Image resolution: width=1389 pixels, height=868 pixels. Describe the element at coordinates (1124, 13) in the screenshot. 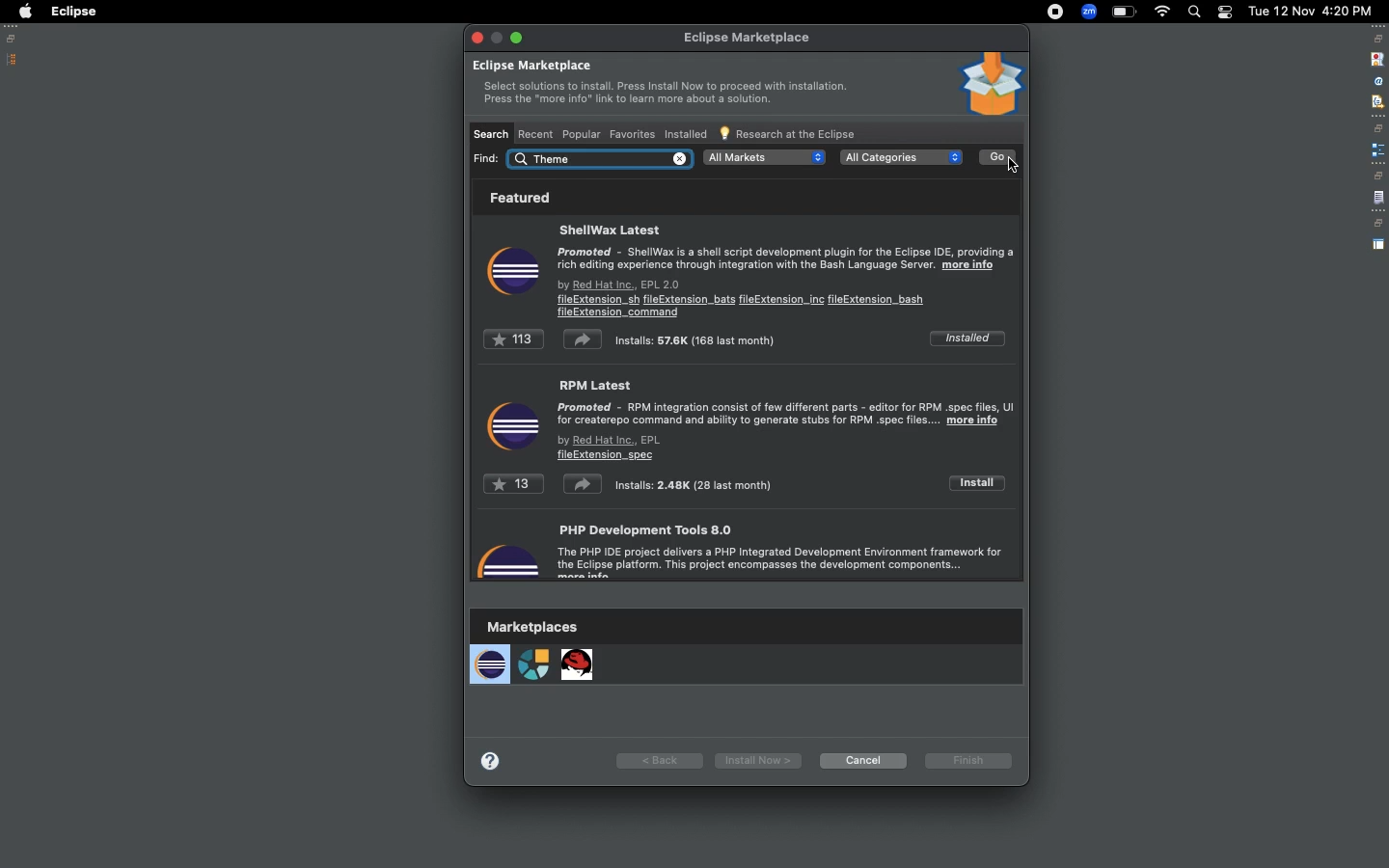

I see `Charge` at that location.